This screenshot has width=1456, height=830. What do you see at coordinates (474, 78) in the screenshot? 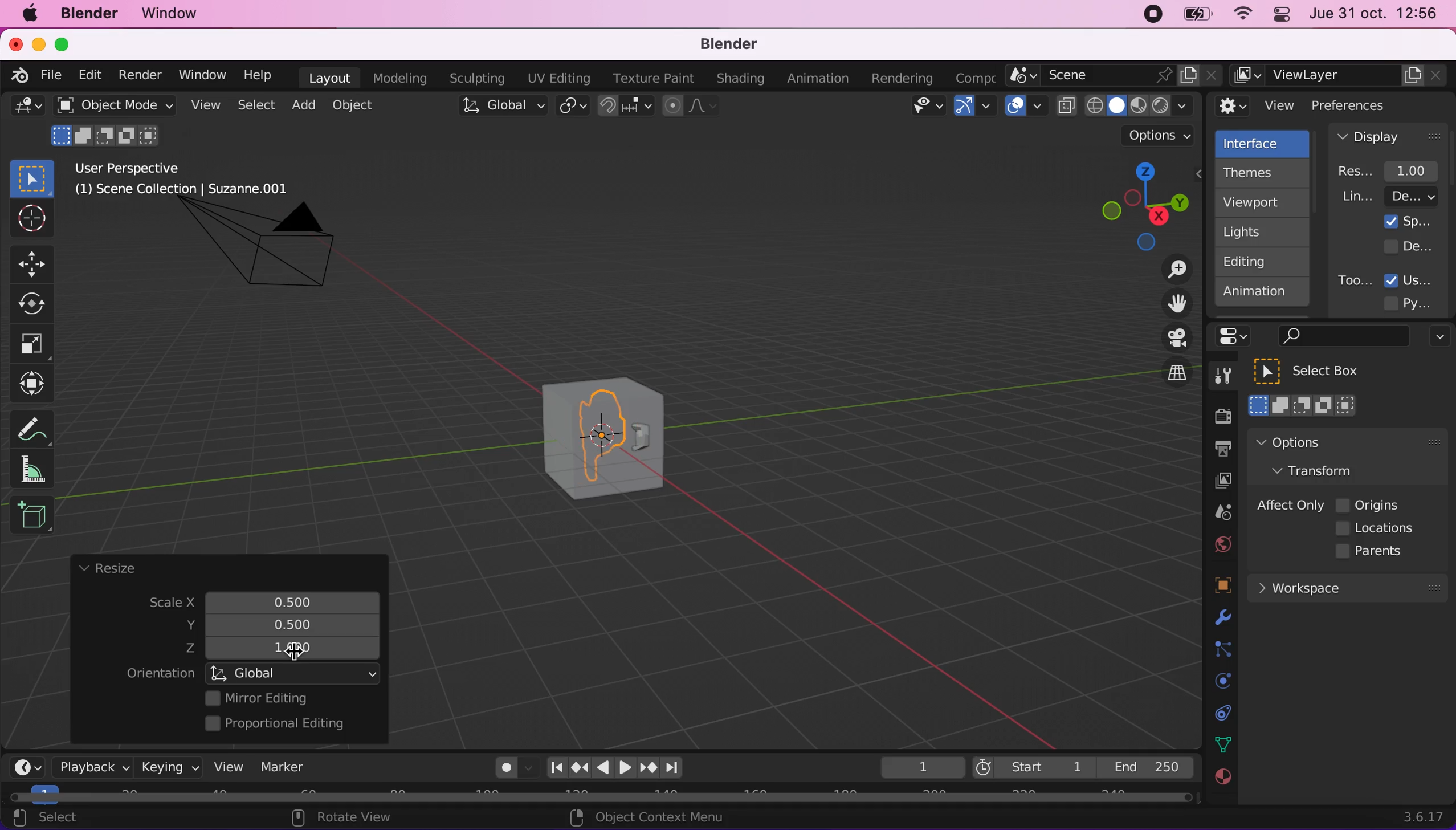
I see `sculpting` at bounding box center [474, 78].